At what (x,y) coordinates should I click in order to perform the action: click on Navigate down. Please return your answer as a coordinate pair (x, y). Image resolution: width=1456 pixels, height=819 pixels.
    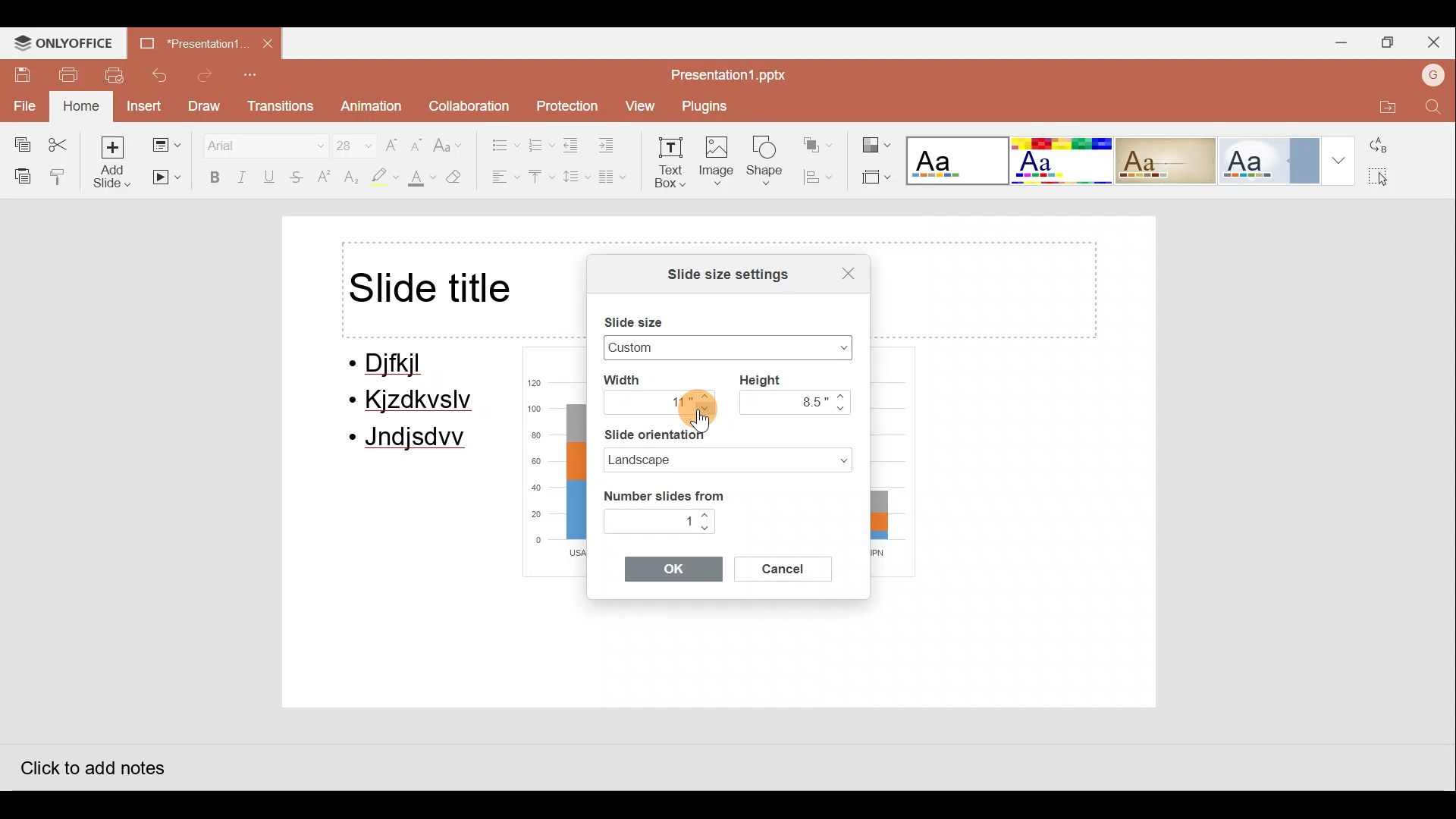
    Looking at the image, I should click on (844, 409).